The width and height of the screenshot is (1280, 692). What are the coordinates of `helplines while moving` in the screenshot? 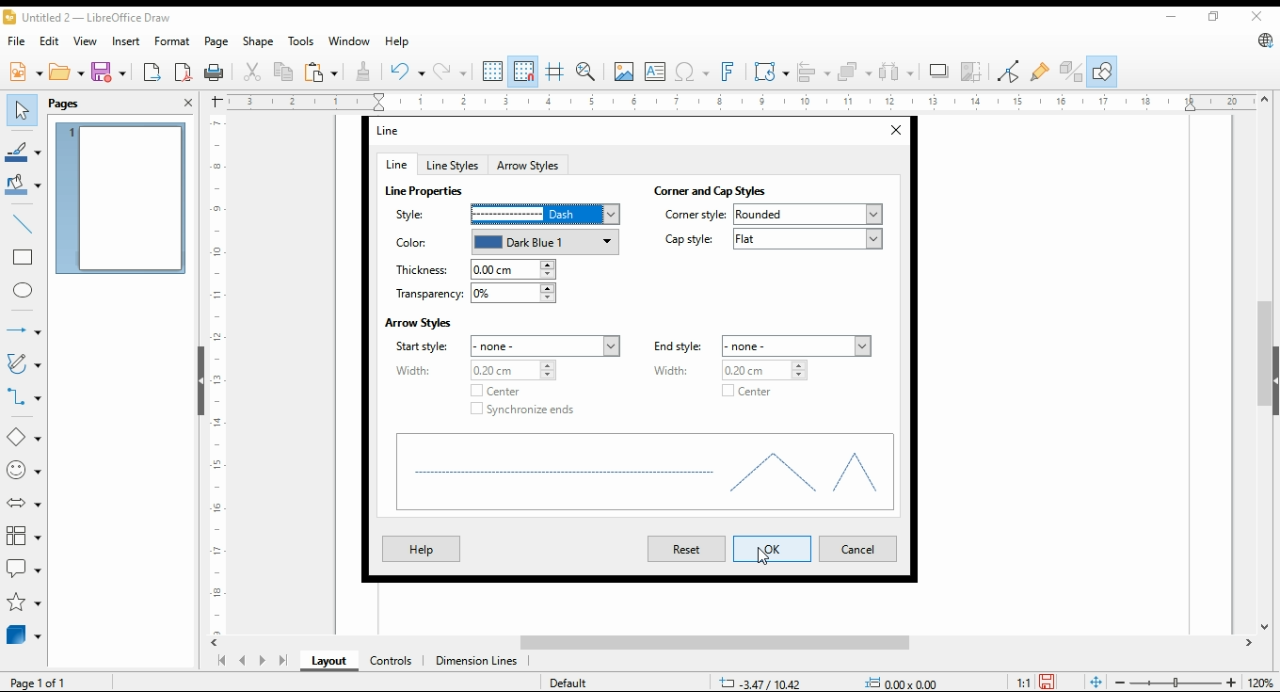 It's located at (557, 71).